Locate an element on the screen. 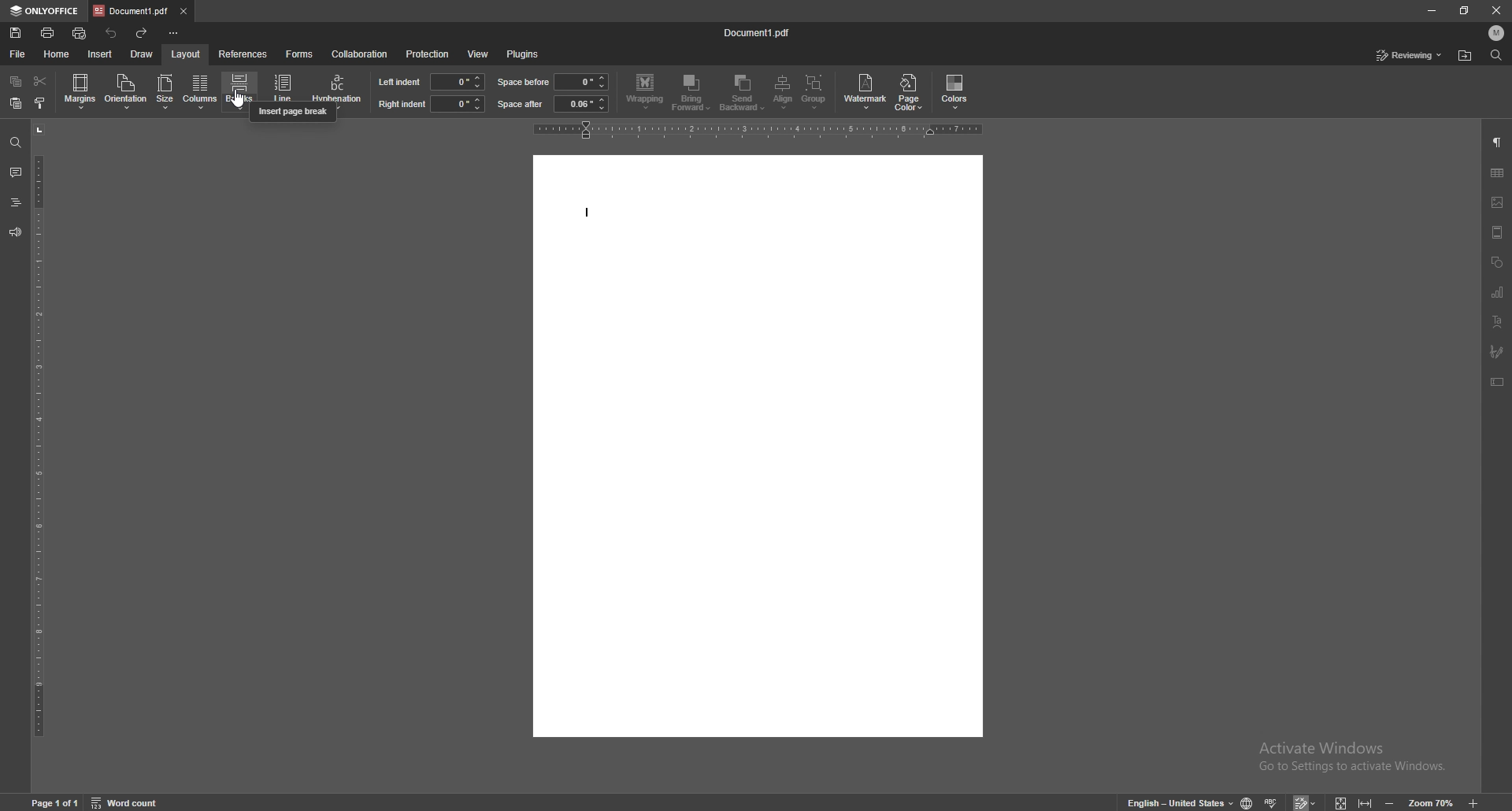  spell check is located at coordinates (1273, 801).